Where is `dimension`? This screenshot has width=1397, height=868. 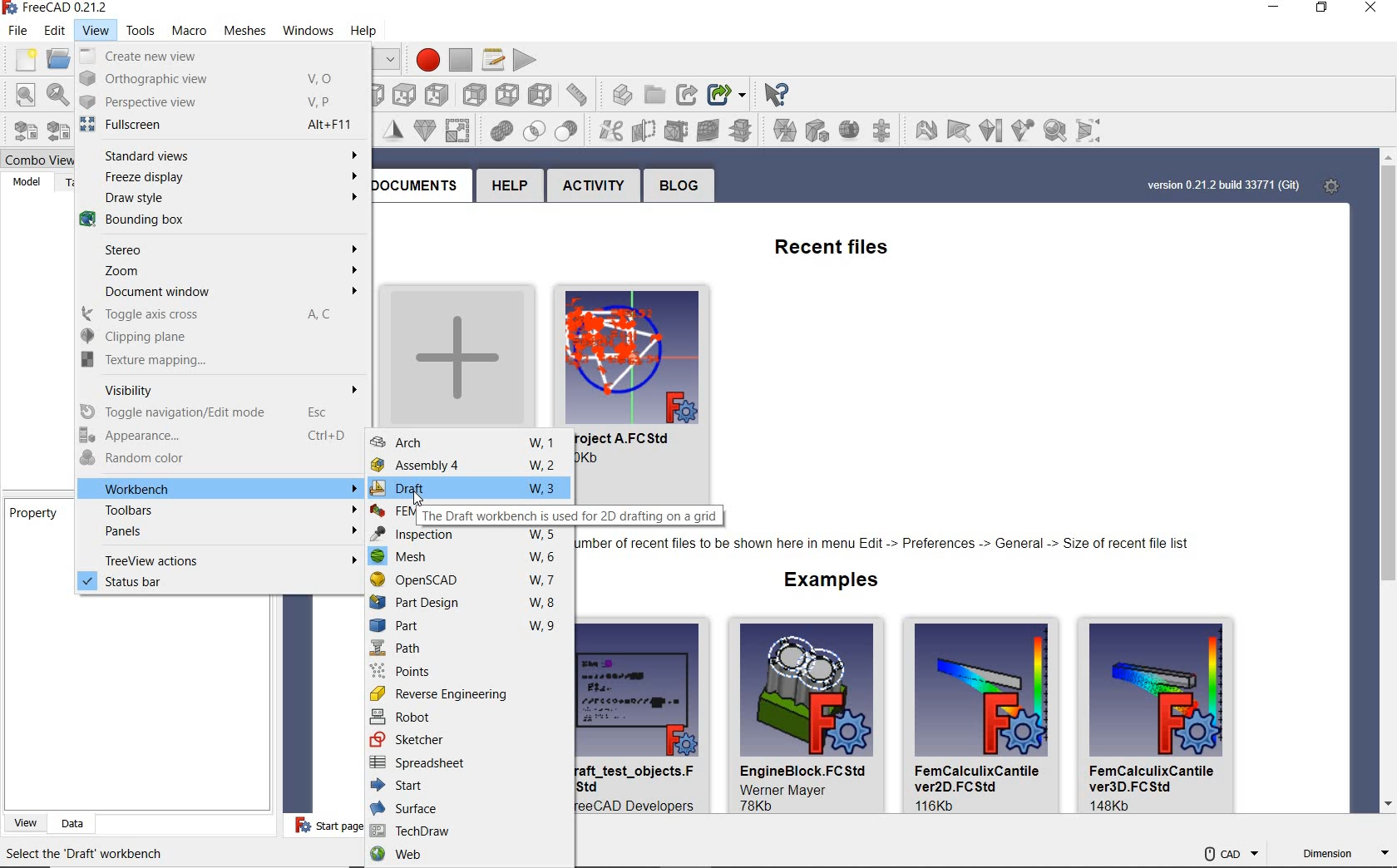
dimension is located at coordinates (1344, 855).